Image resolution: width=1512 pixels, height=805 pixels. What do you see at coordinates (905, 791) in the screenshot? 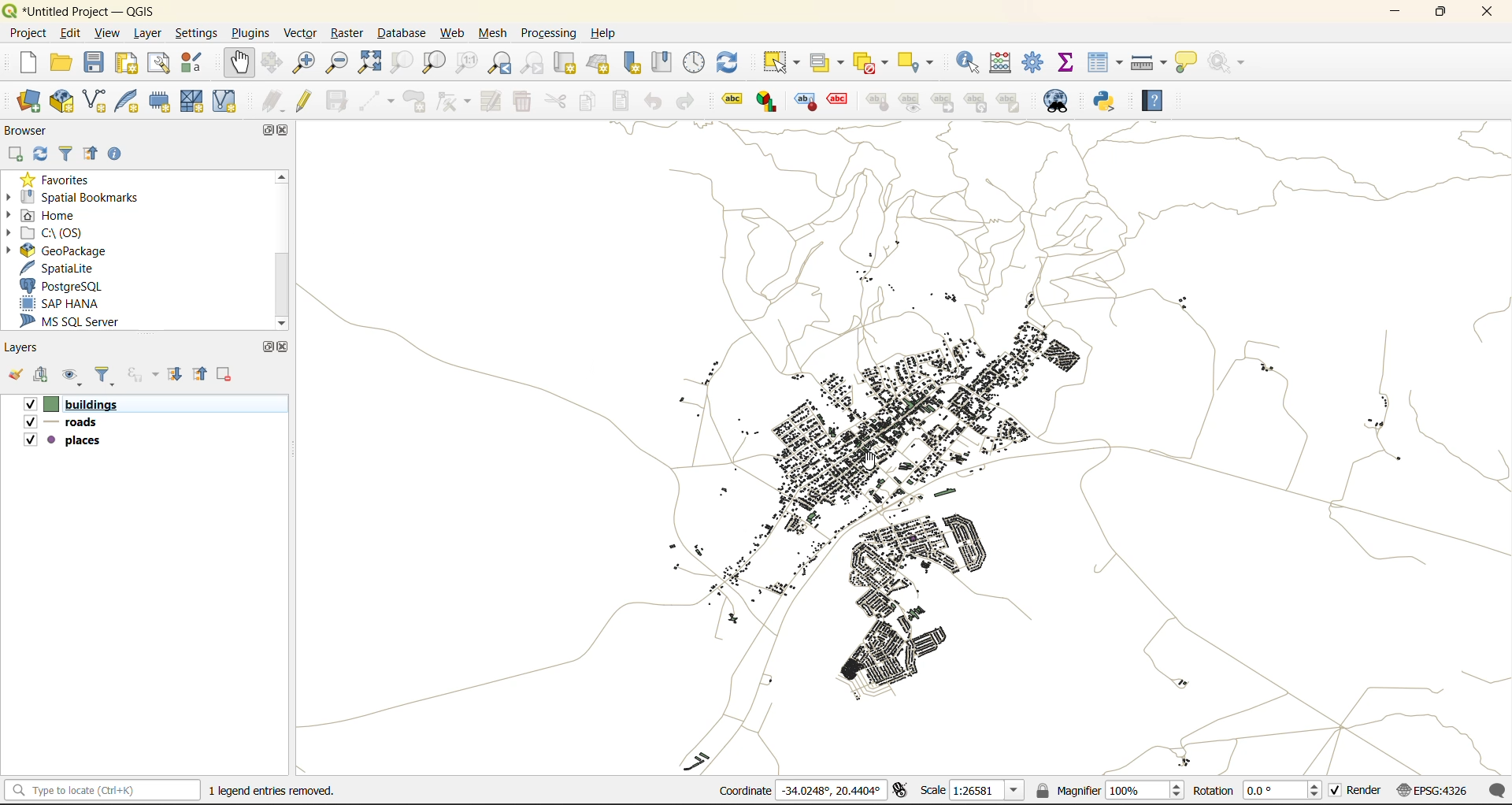
I see `toggle extensions` at bounding box center [905, 791].